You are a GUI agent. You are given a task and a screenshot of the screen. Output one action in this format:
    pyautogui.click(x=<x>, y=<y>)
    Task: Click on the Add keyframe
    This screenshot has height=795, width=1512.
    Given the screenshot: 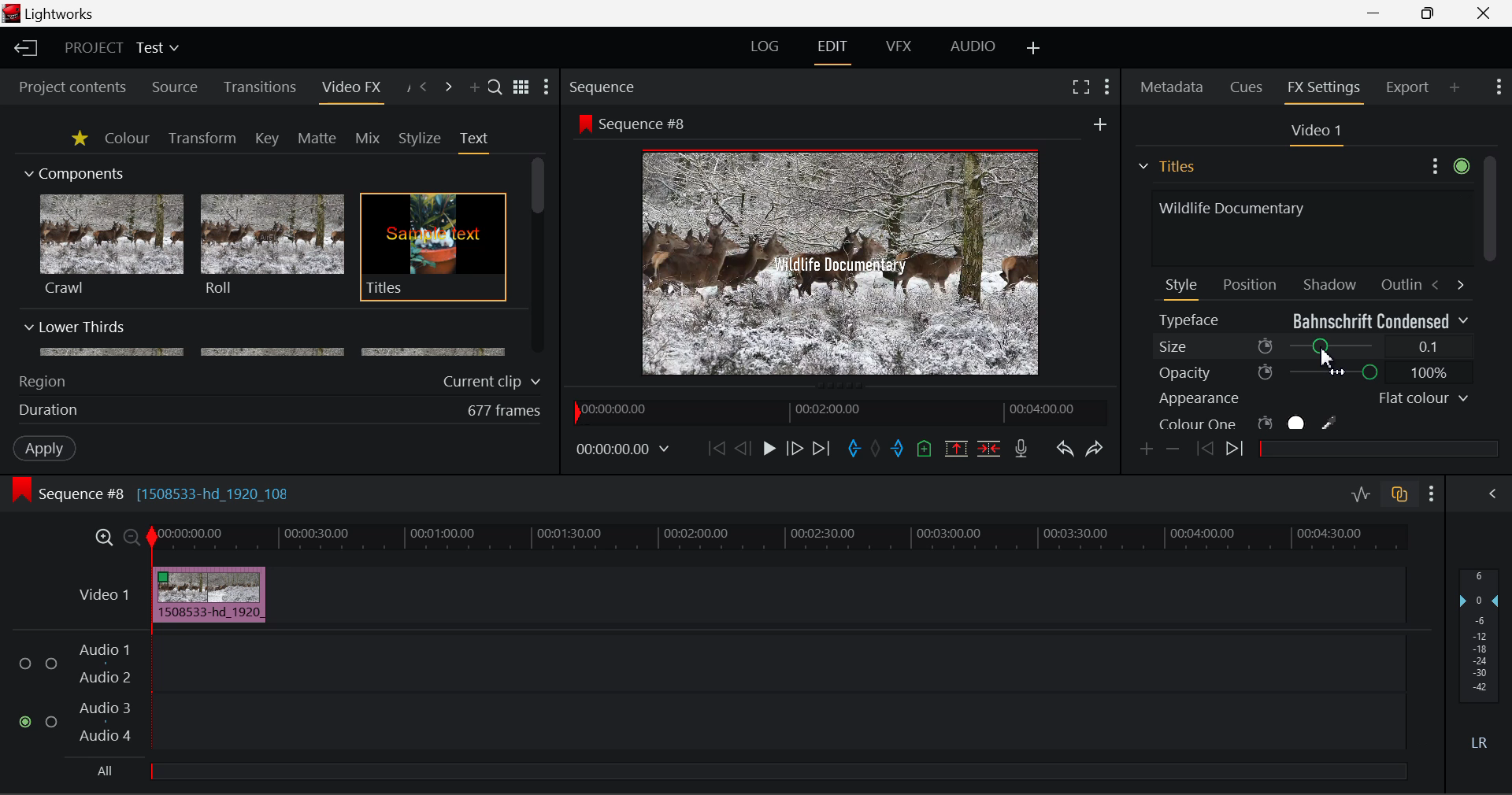 What is the action you would take?
    pyautogui.click(x=1148, y=450)
    